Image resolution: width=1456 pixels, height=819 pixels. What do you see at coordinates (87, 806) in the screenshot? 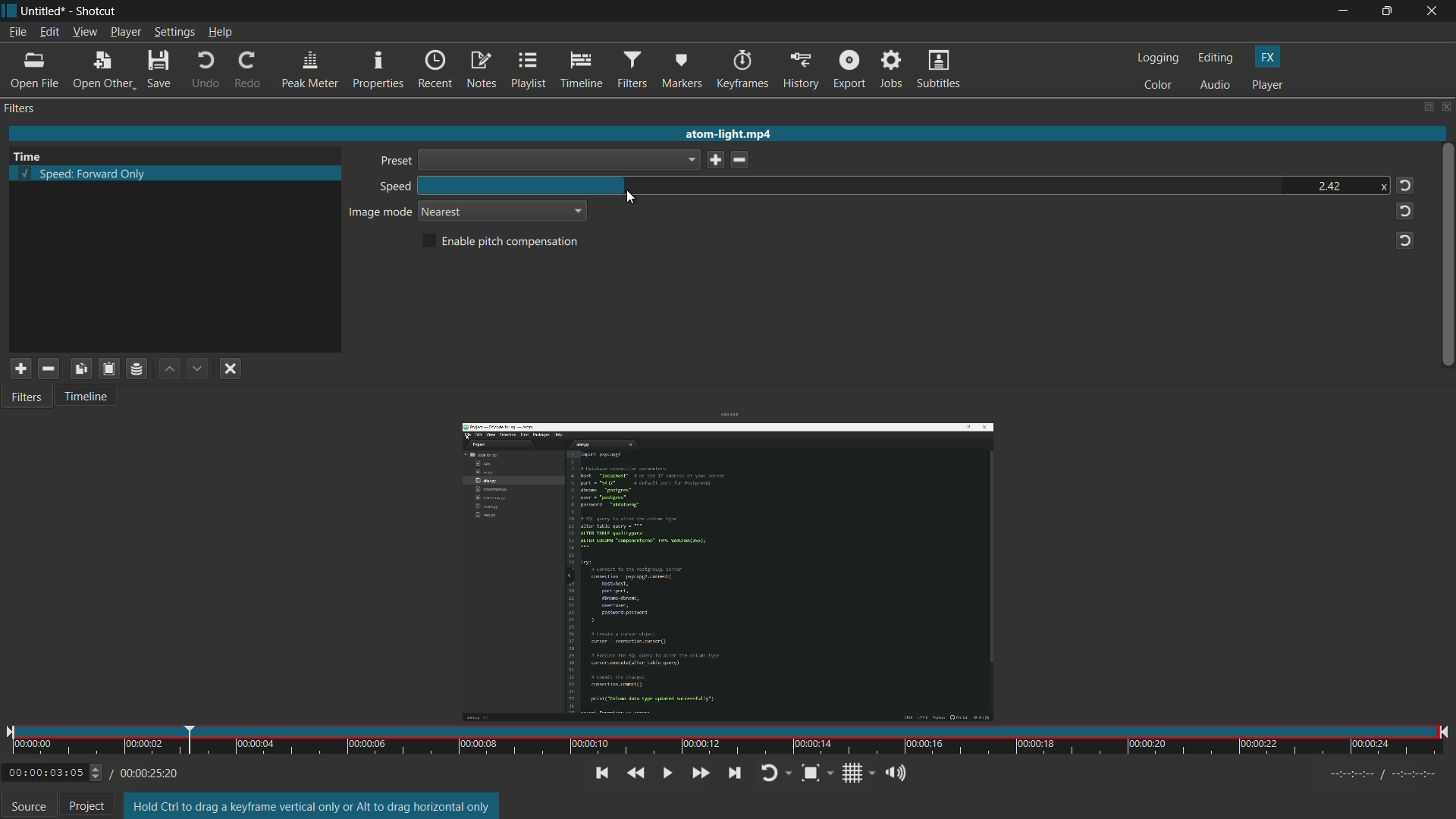
I see `project` at bounding box center [87, 806].